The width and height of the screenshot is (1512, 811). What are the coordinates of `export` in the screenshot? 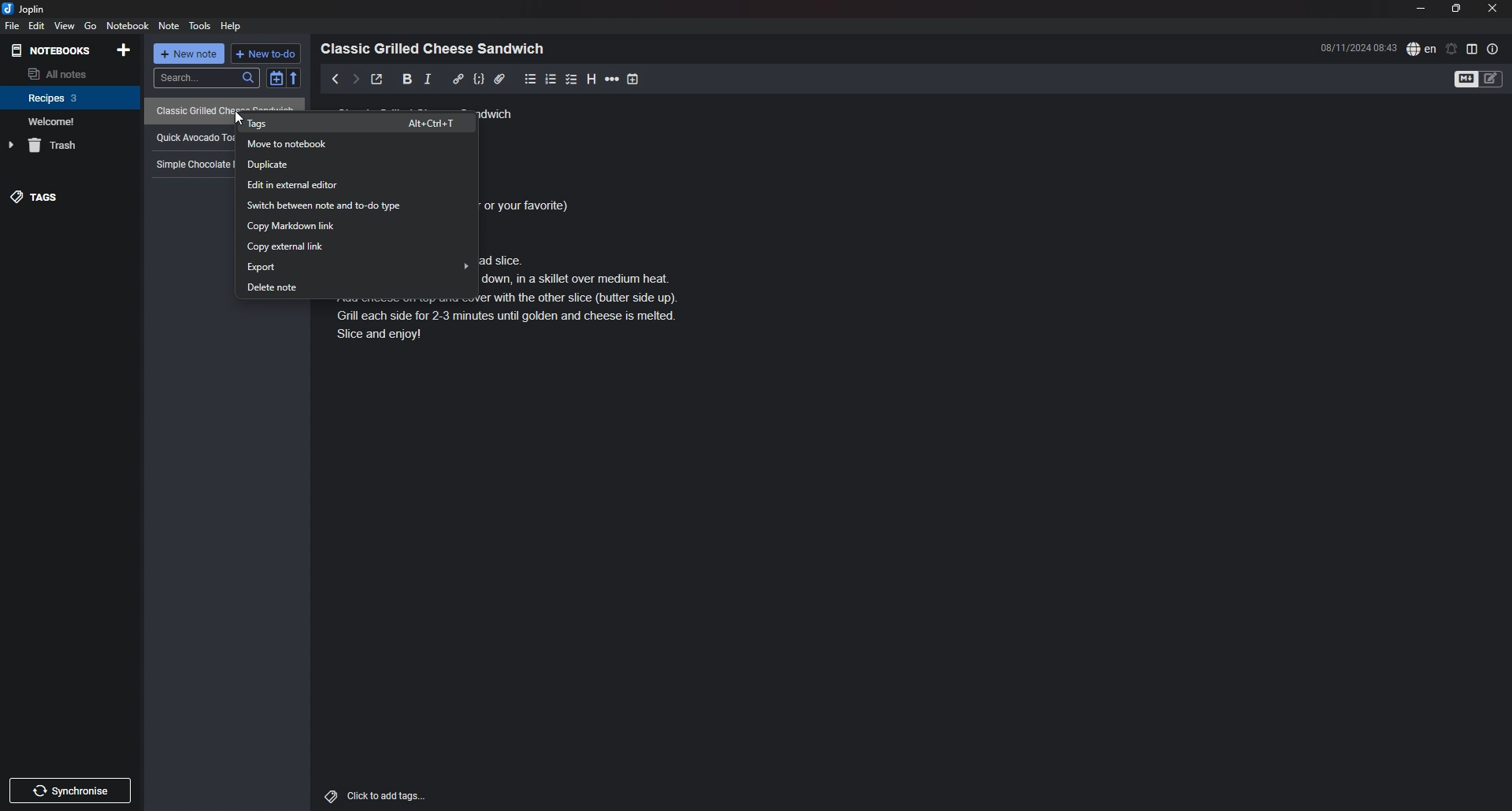 It's located at (358, 266).